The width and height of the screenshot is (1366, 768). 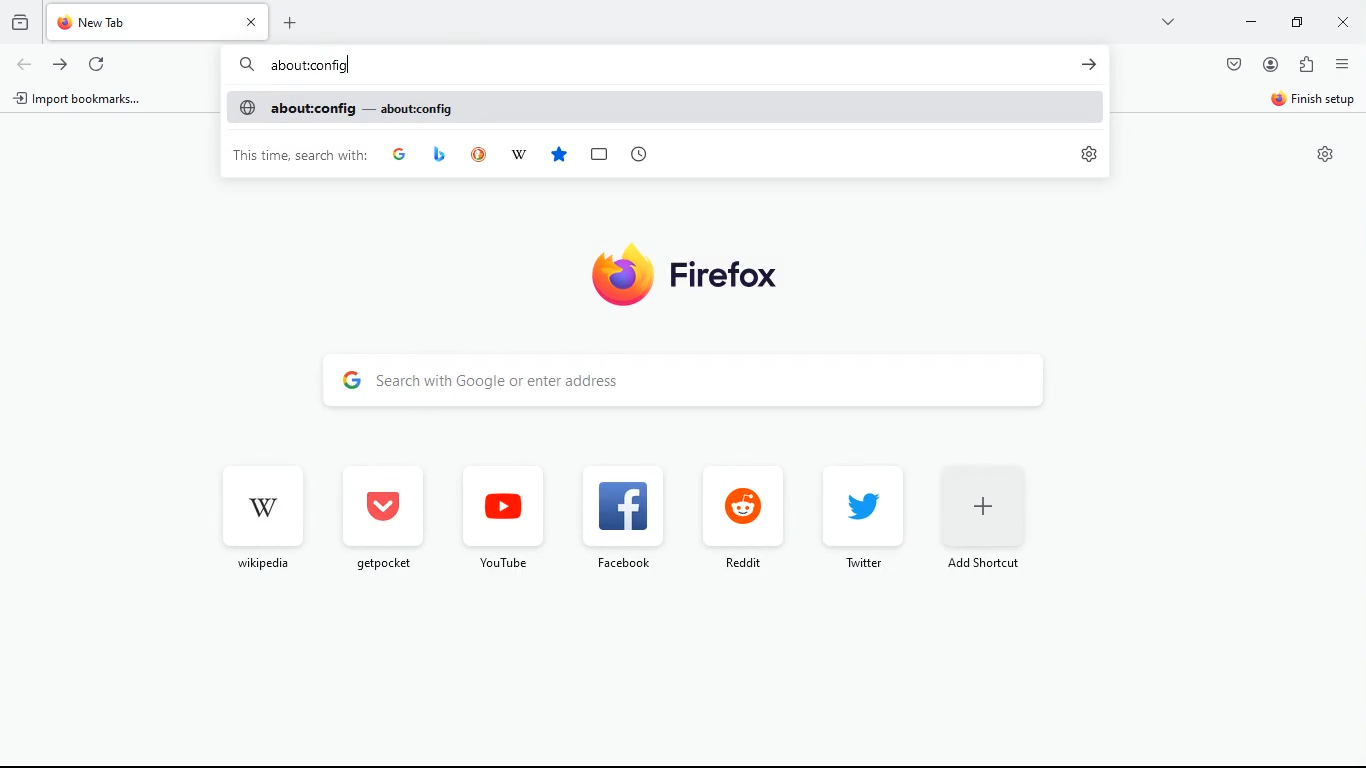 I want to click on firefox, so click(x=674, y=273).